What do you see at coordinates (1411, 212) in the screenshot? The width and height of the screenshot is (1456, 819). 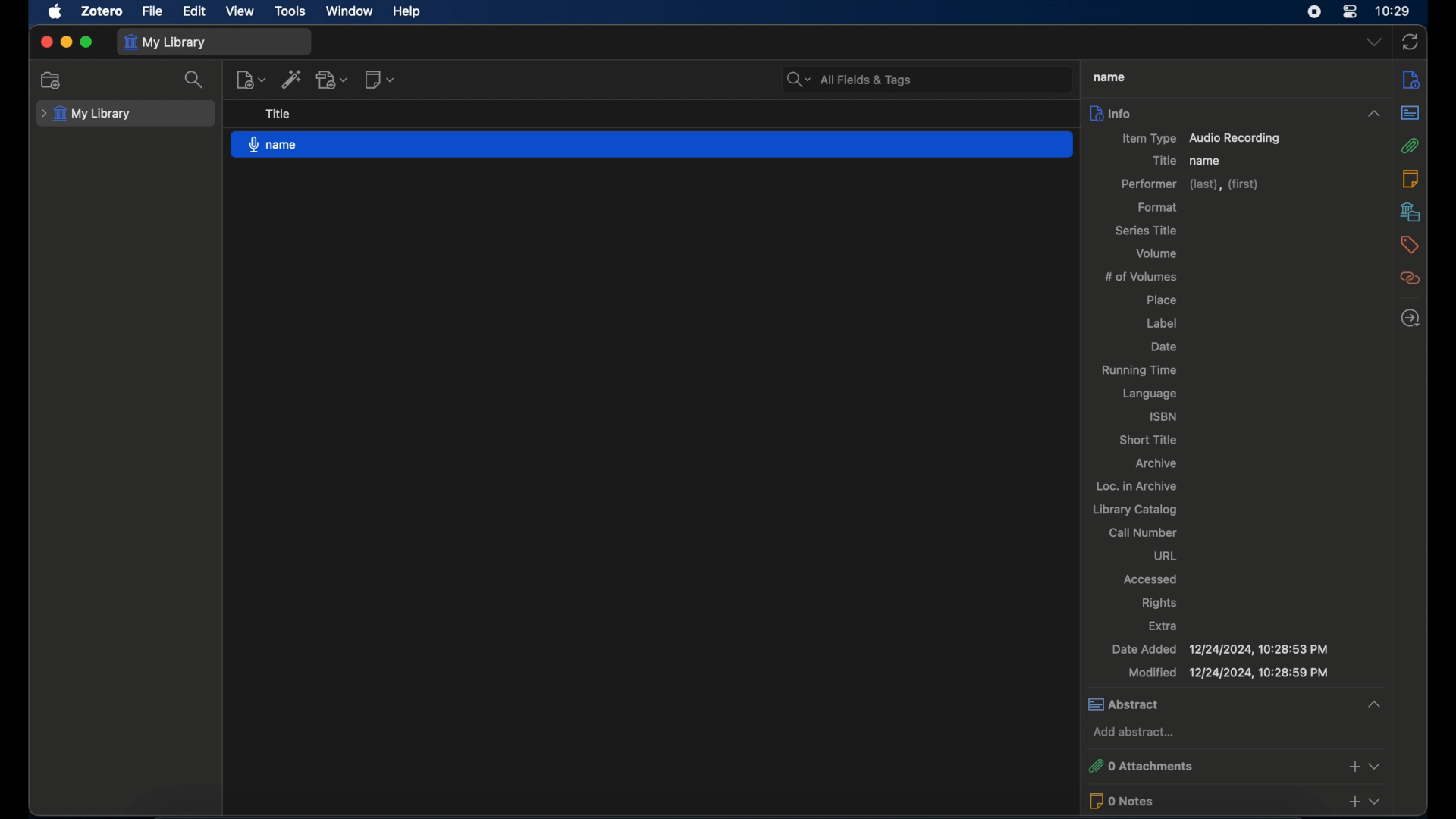 I see `libraries` at bounding box center [1411, 212].